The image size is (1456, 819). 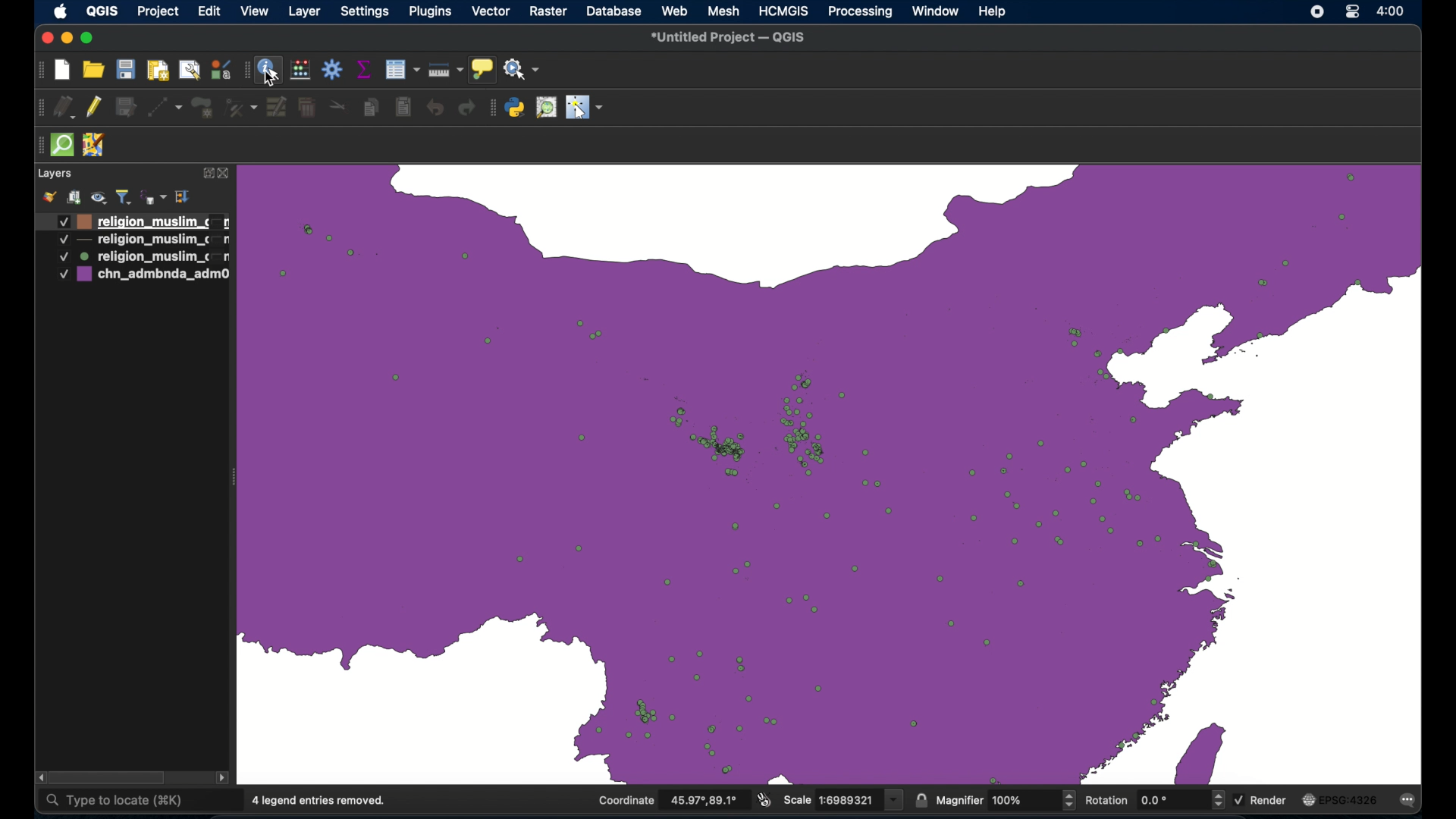 I want to click on quick osm, so click(x=64, y=146).